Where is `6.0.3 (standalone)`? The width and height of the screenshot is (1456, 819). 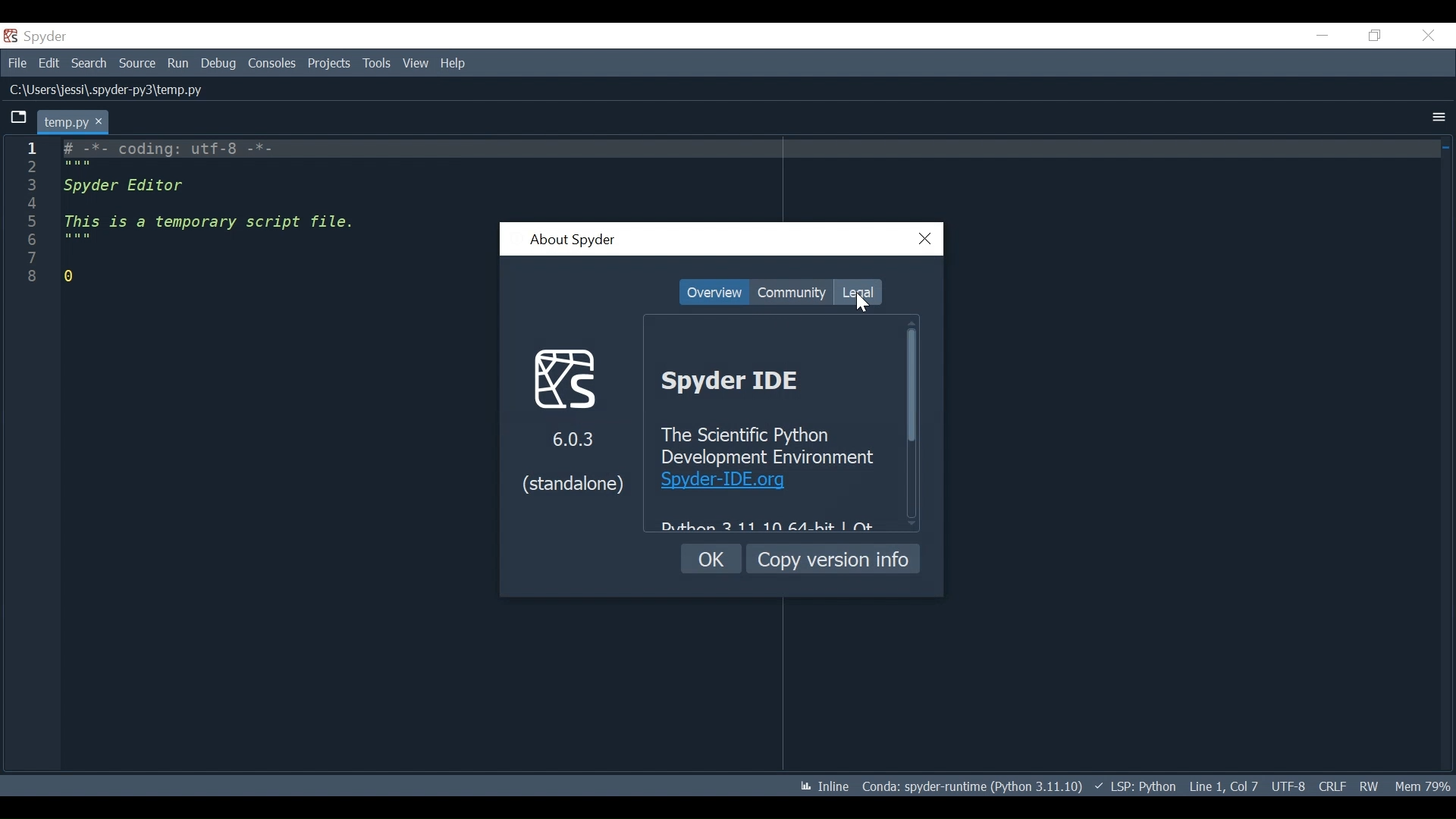
6.0.3 (standalone) is located at coordinates (573, 419).